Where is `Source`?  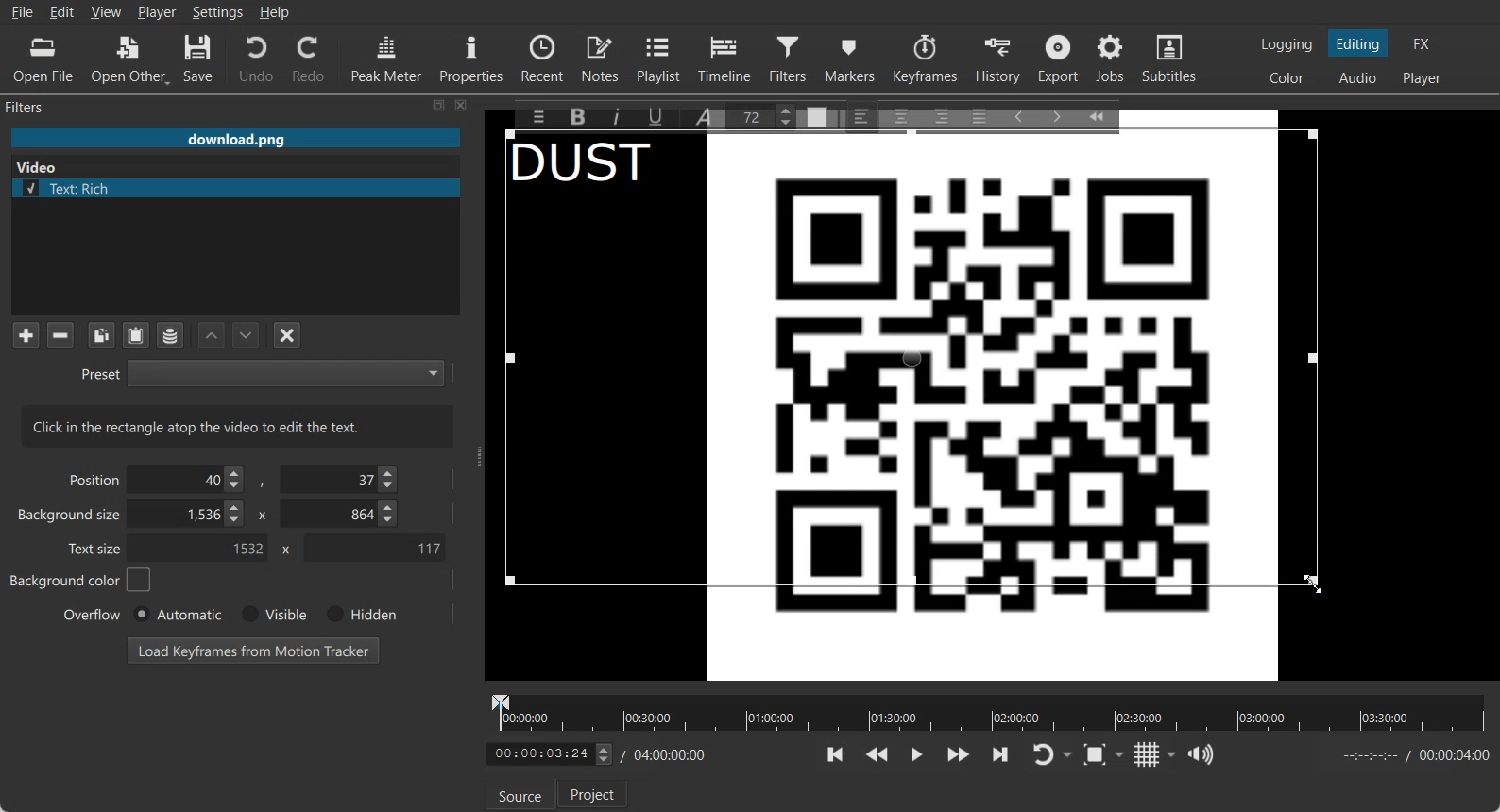
Source is located at coordinates (520, 795).